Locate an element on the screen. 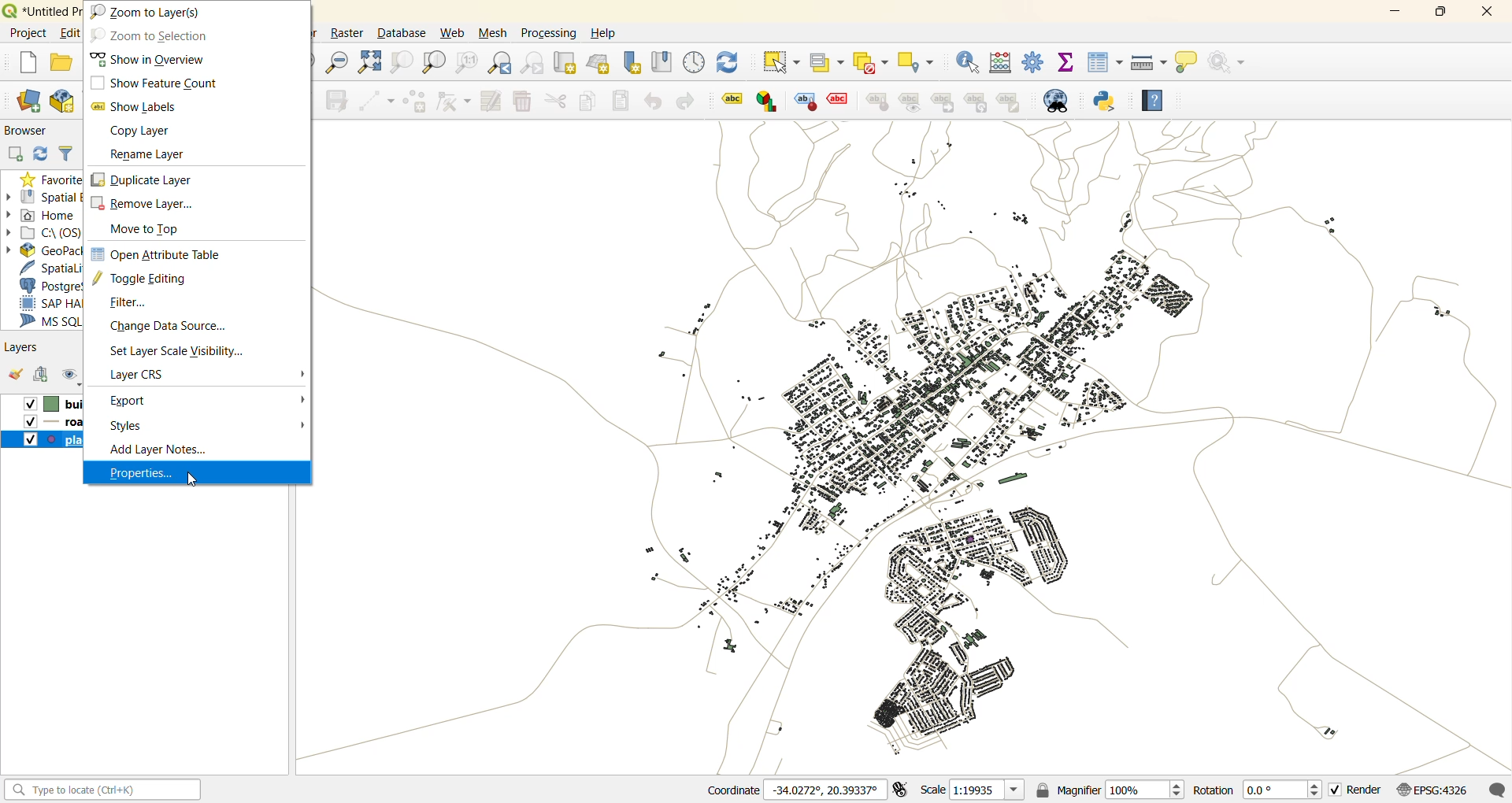 This screenshot has width=1512, height=803. select is located at coordinates (784, 61).